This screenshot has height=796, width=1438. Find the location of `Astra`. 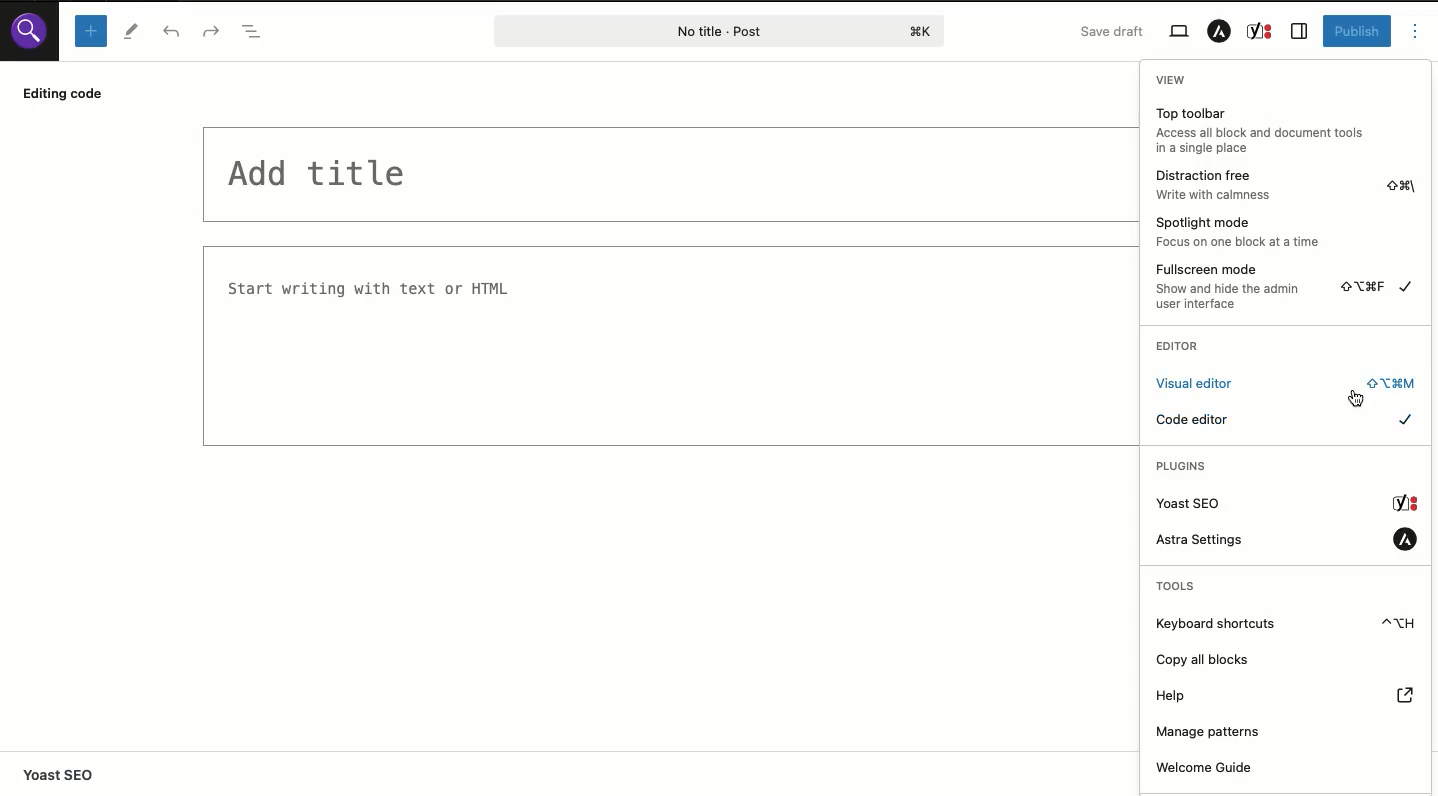

Astra is located at coordinates (1282, 540).